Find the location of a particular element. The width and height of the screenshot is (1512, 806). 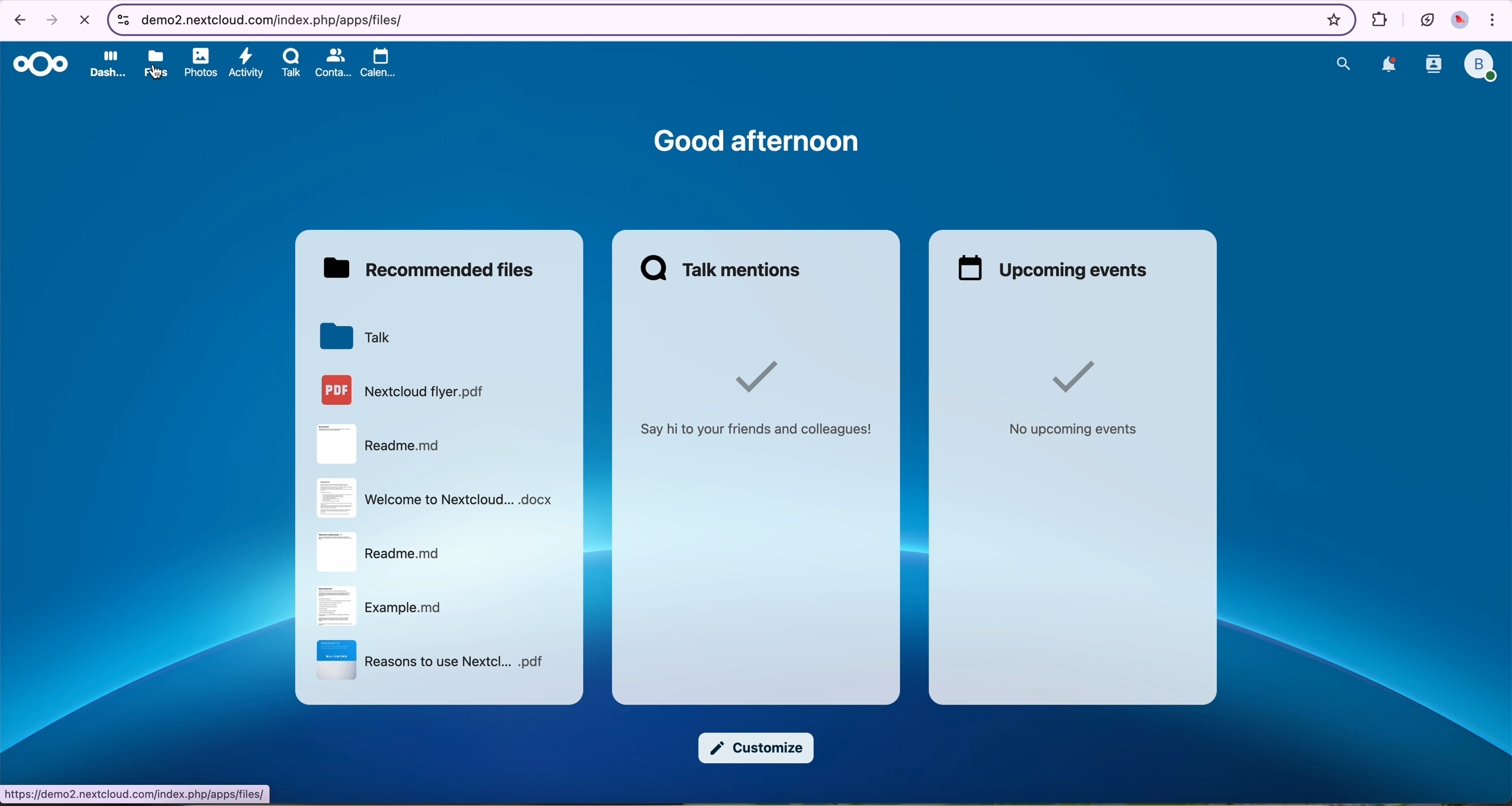

file is located at coordinates (378, 444).